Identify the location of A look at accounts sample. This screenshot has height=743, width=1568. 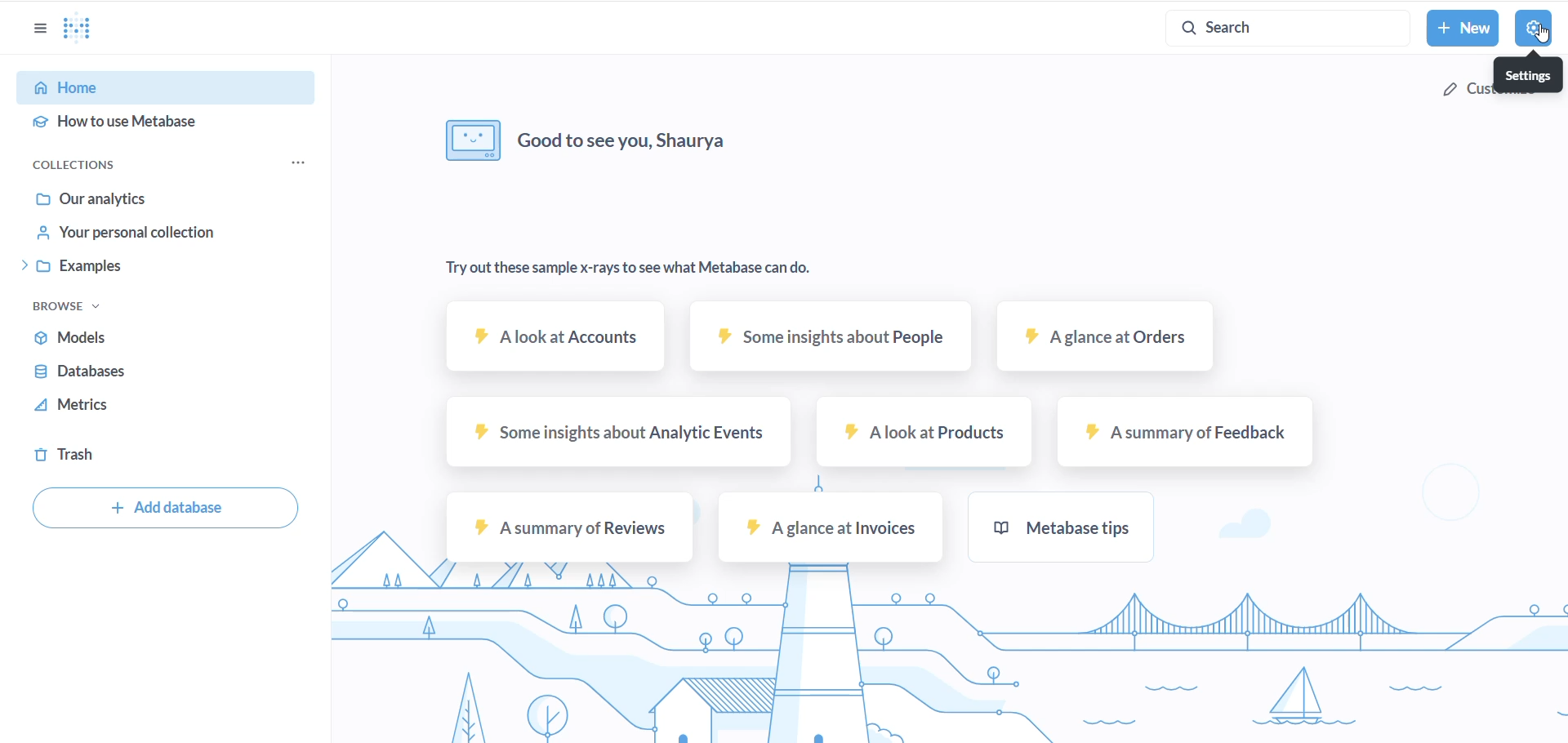
(551, 339).